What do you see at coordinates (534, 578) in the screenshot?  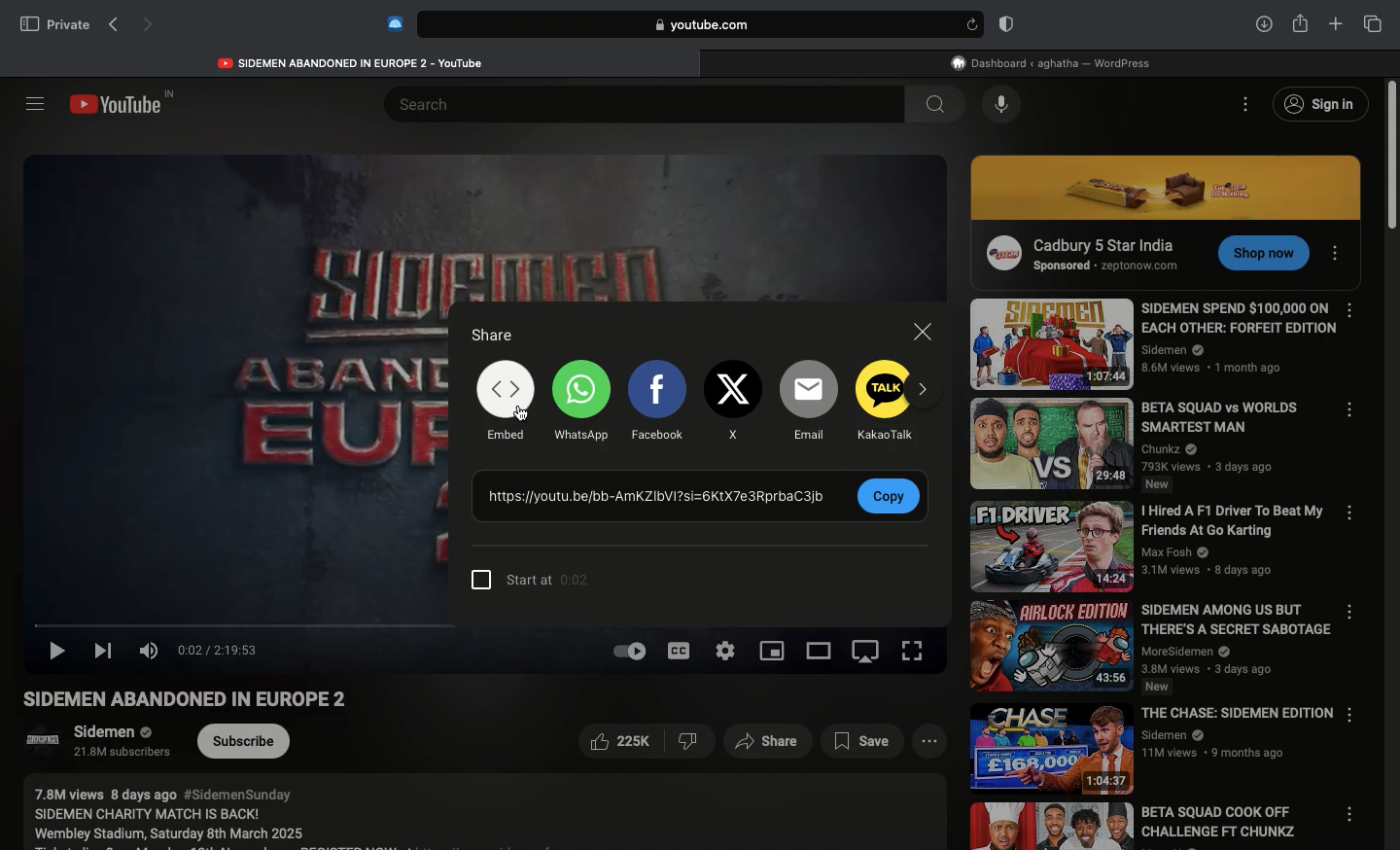 I see `Time precision` at bounding box center [534, 578].